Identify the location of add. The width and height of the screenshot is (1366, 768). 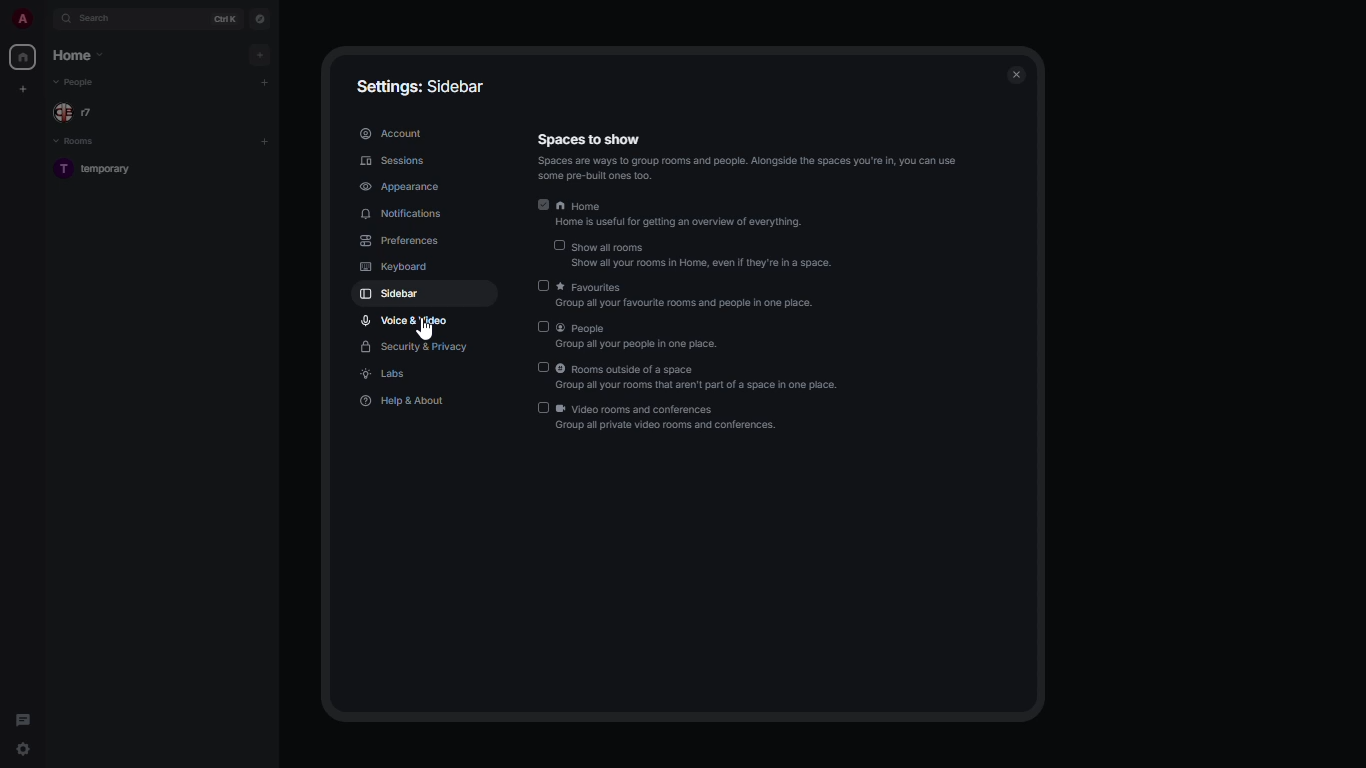
(265, 142).